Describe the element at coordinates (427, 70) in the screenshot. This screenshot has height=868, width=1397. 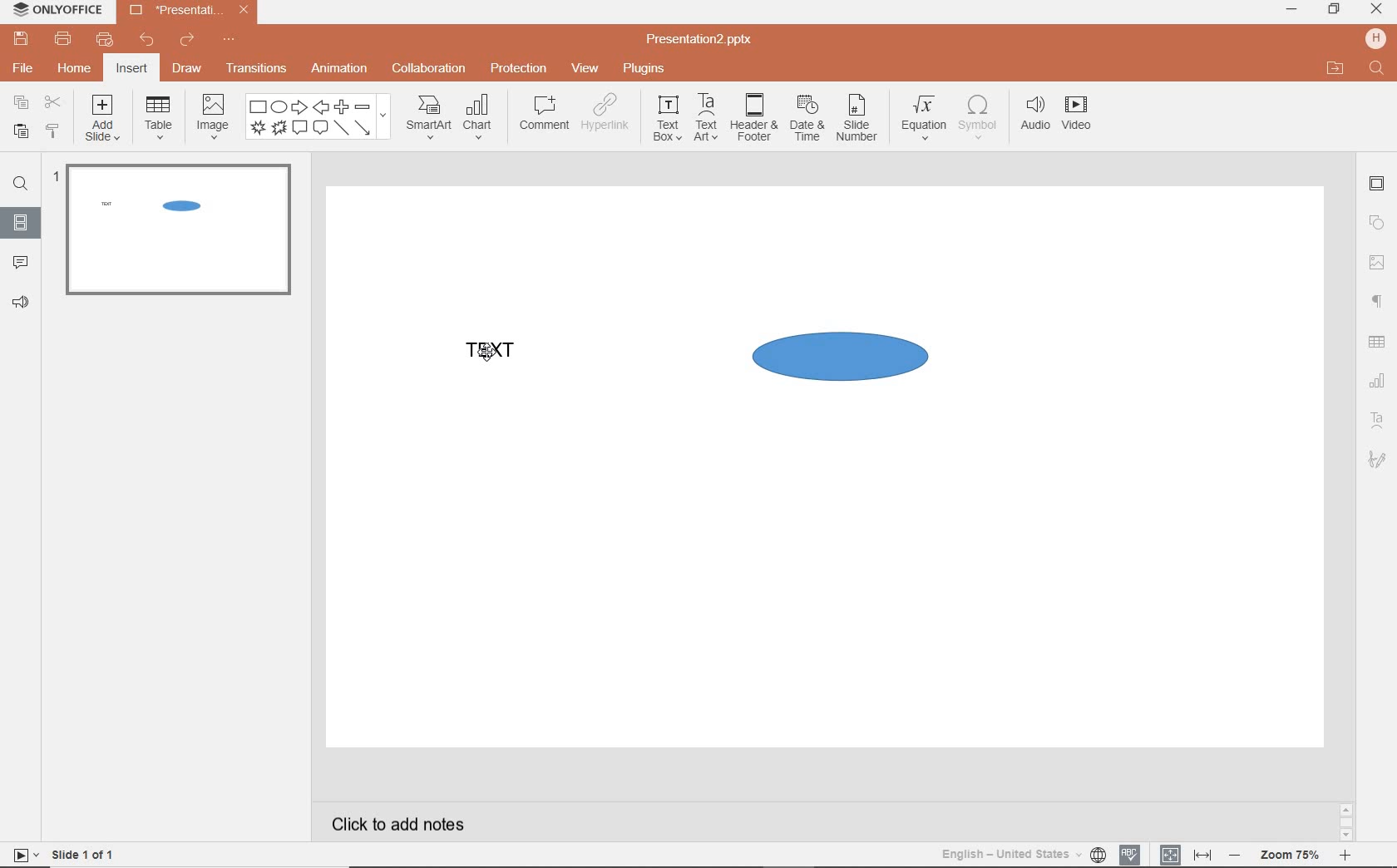
I see `collaboration` at that location.